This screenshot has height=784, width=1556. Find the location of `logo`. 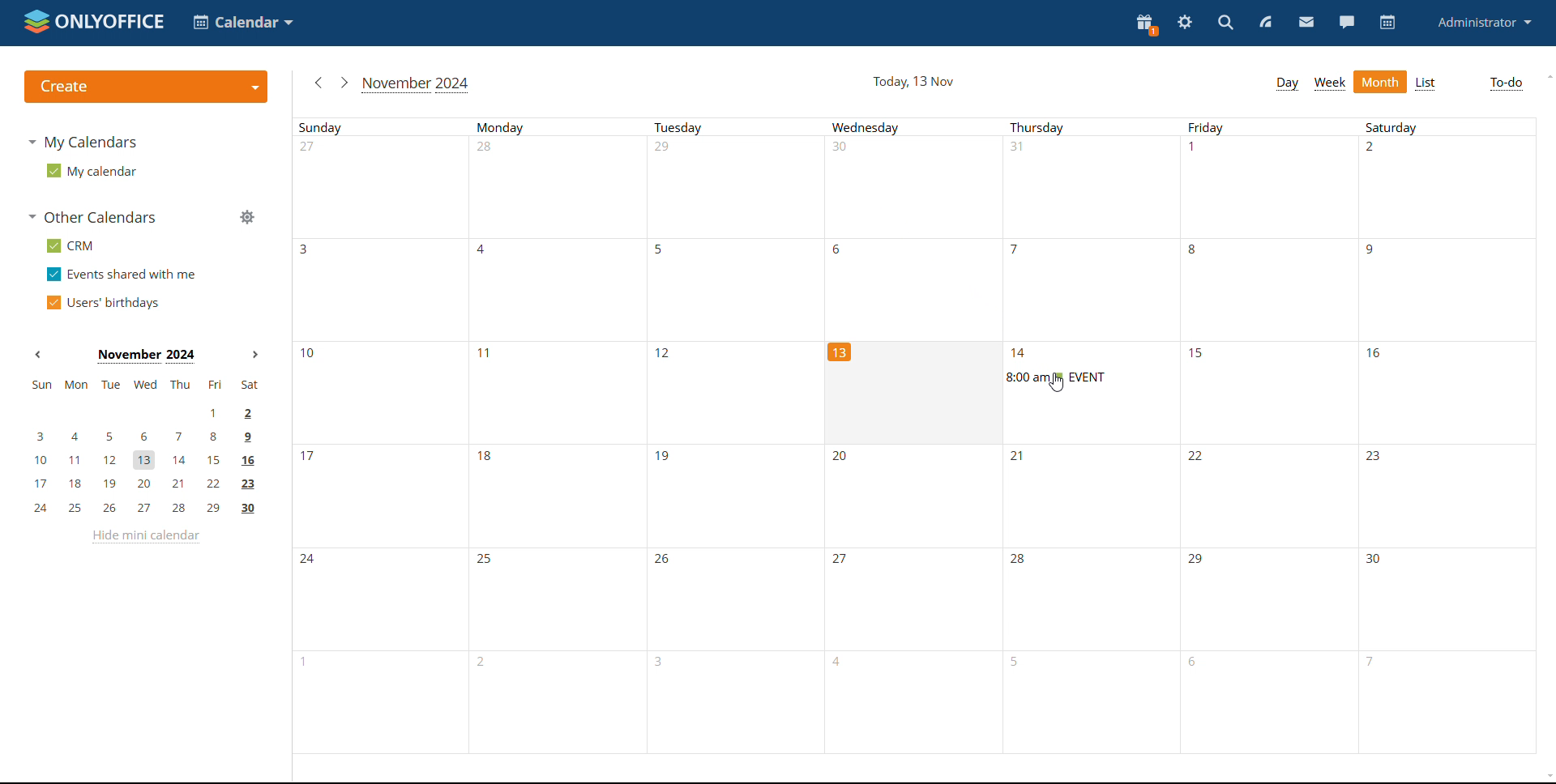

logo is located at coordinates (95, 23).